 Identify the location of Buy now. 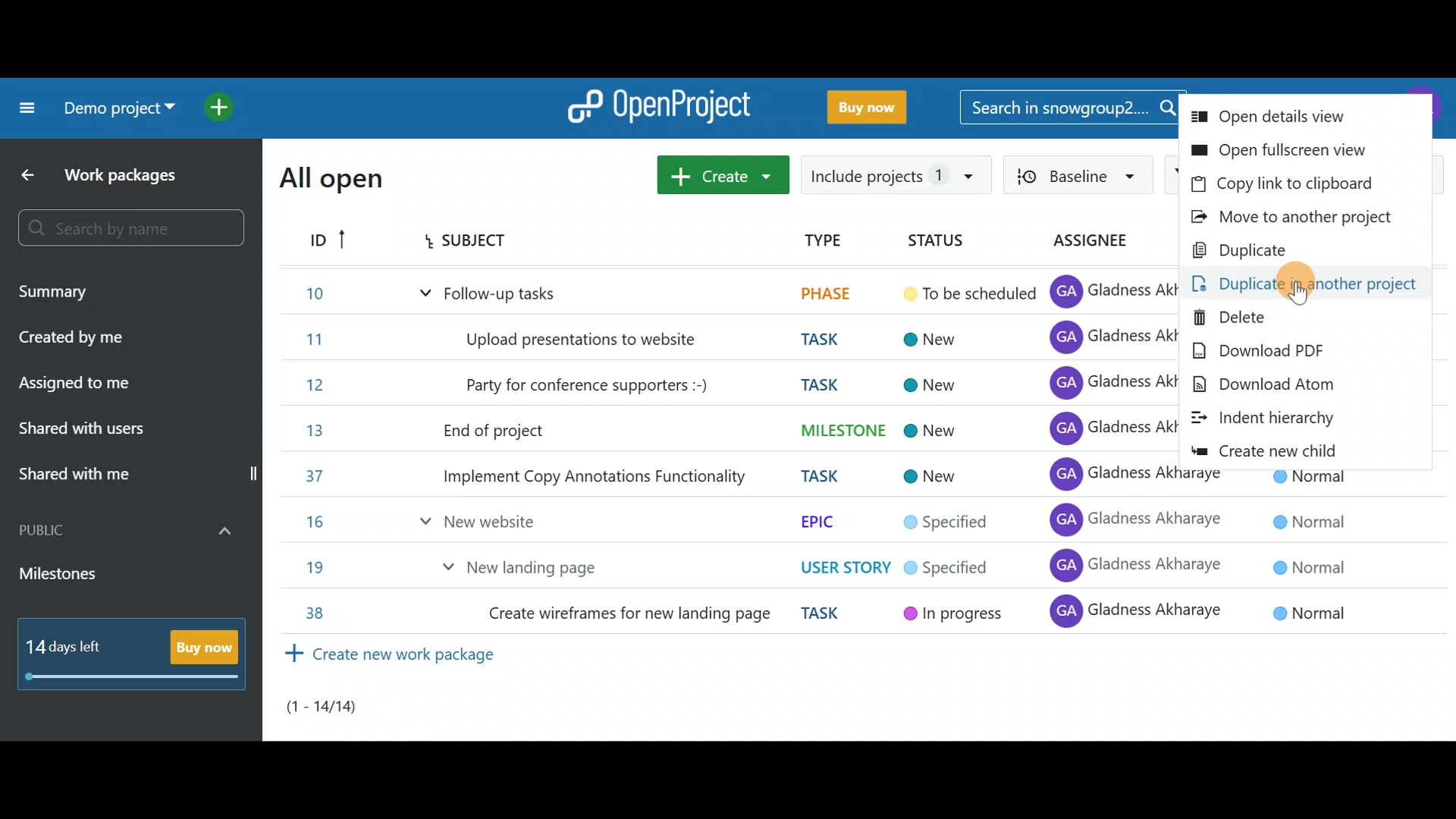
(860, 108).